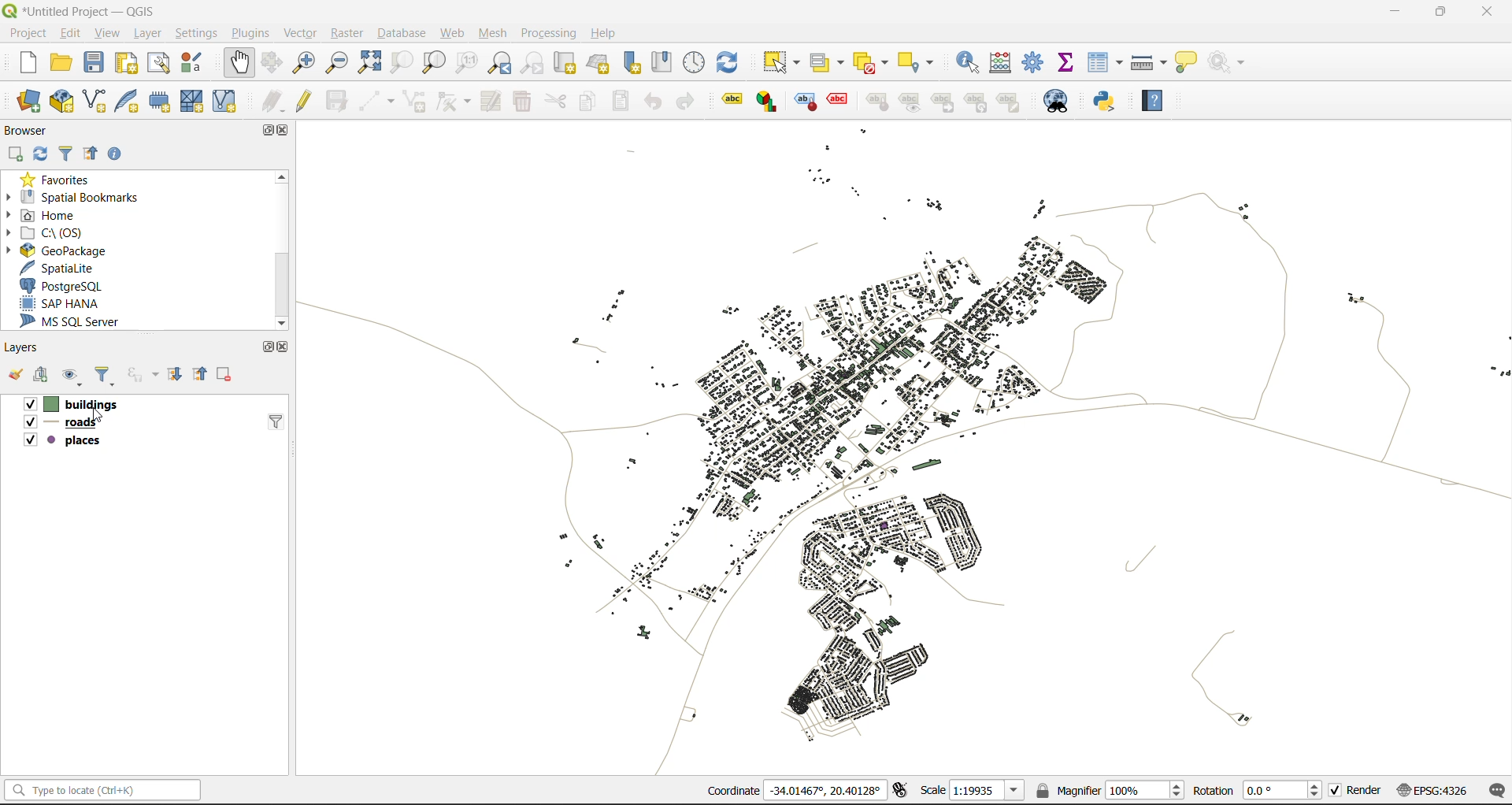 This screenshot has width=1512, height=805. What do you see at coordinates (1232, 62) in the screenshot?
I see `no action` at bounding box center [1232, 62].